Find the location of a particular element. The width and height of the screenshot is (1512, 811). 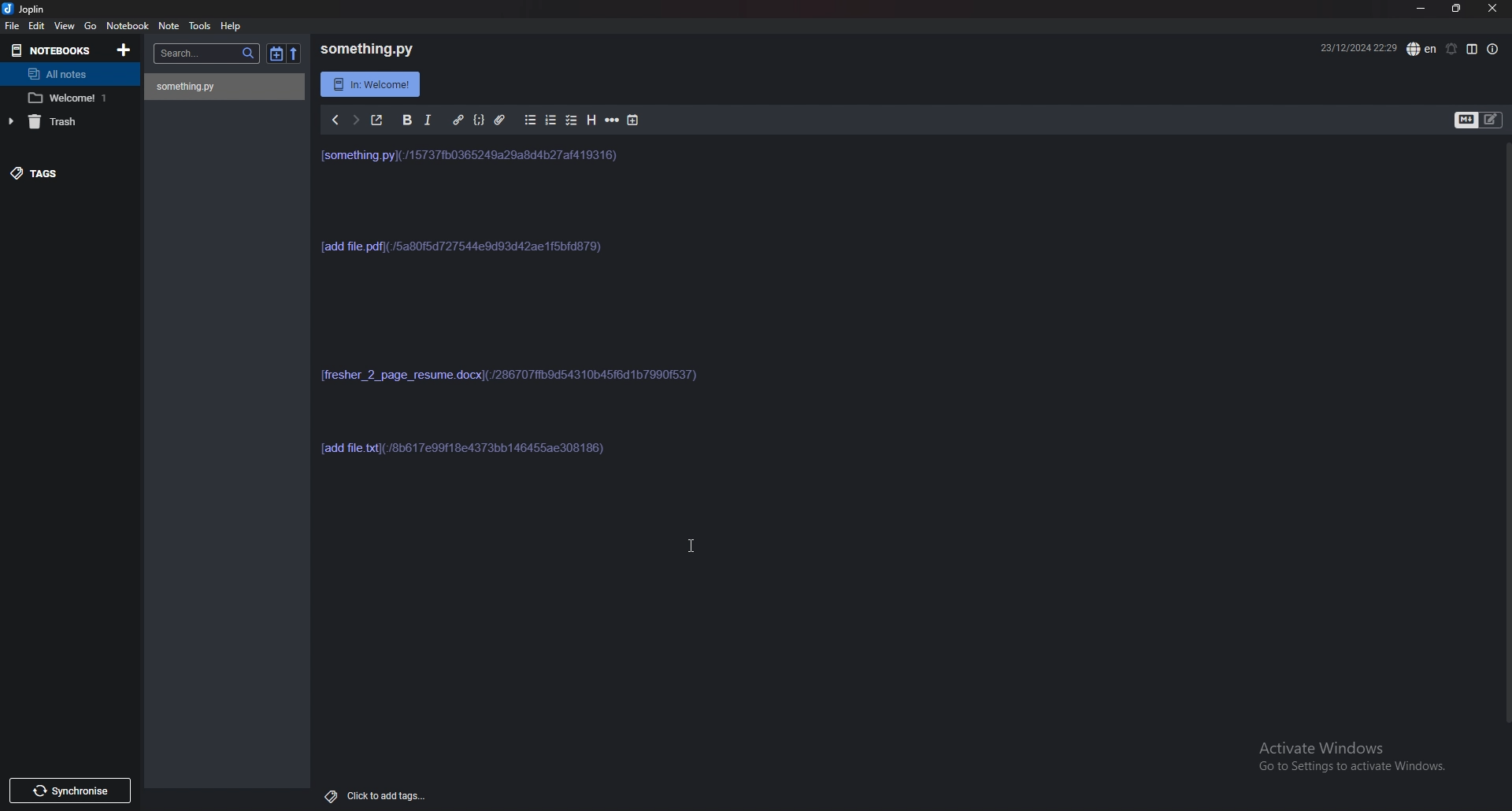

go is located at coordinates (90, 27).